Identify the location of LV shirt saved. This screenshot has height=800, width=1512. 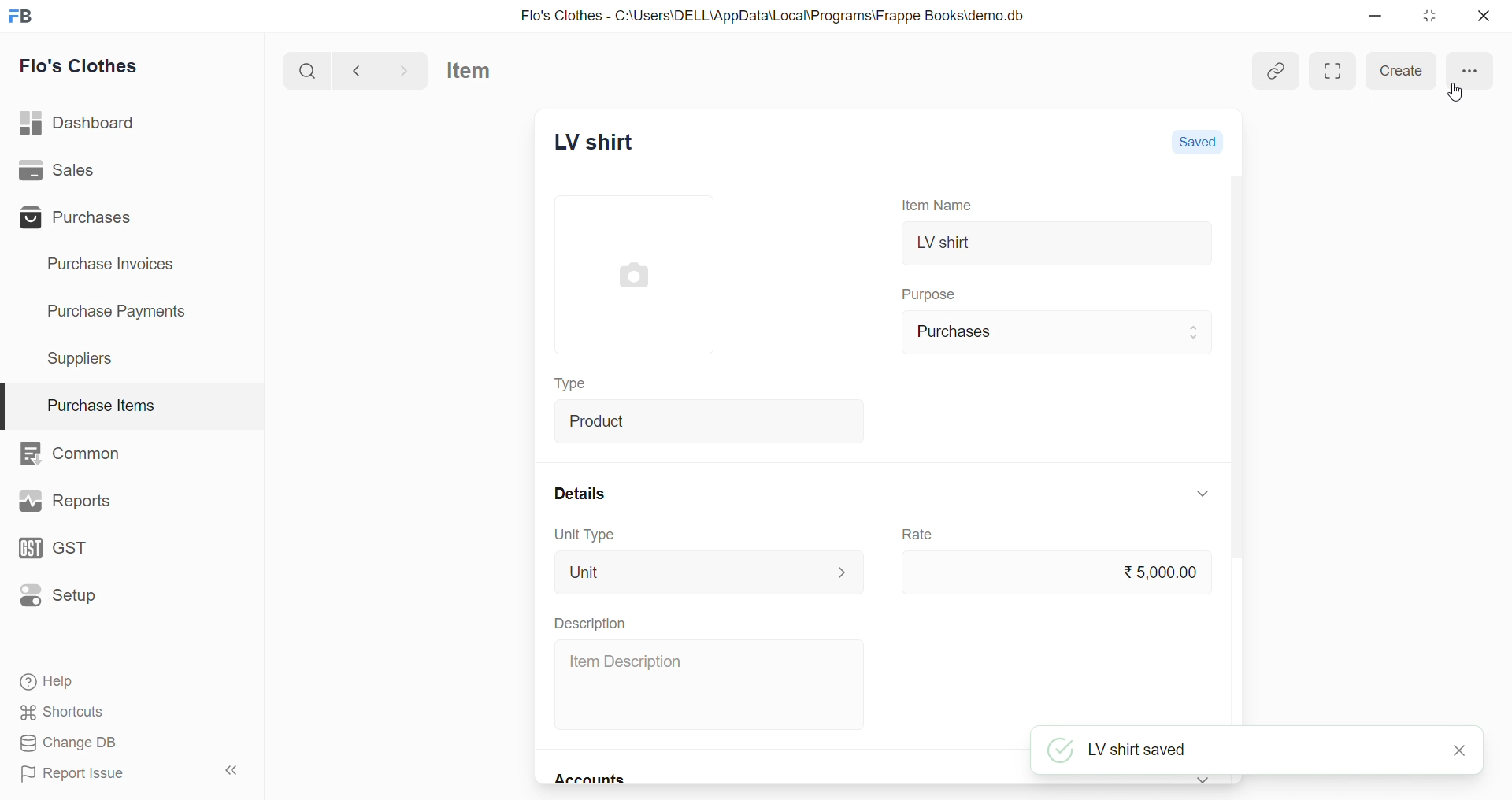
(1240, 751).